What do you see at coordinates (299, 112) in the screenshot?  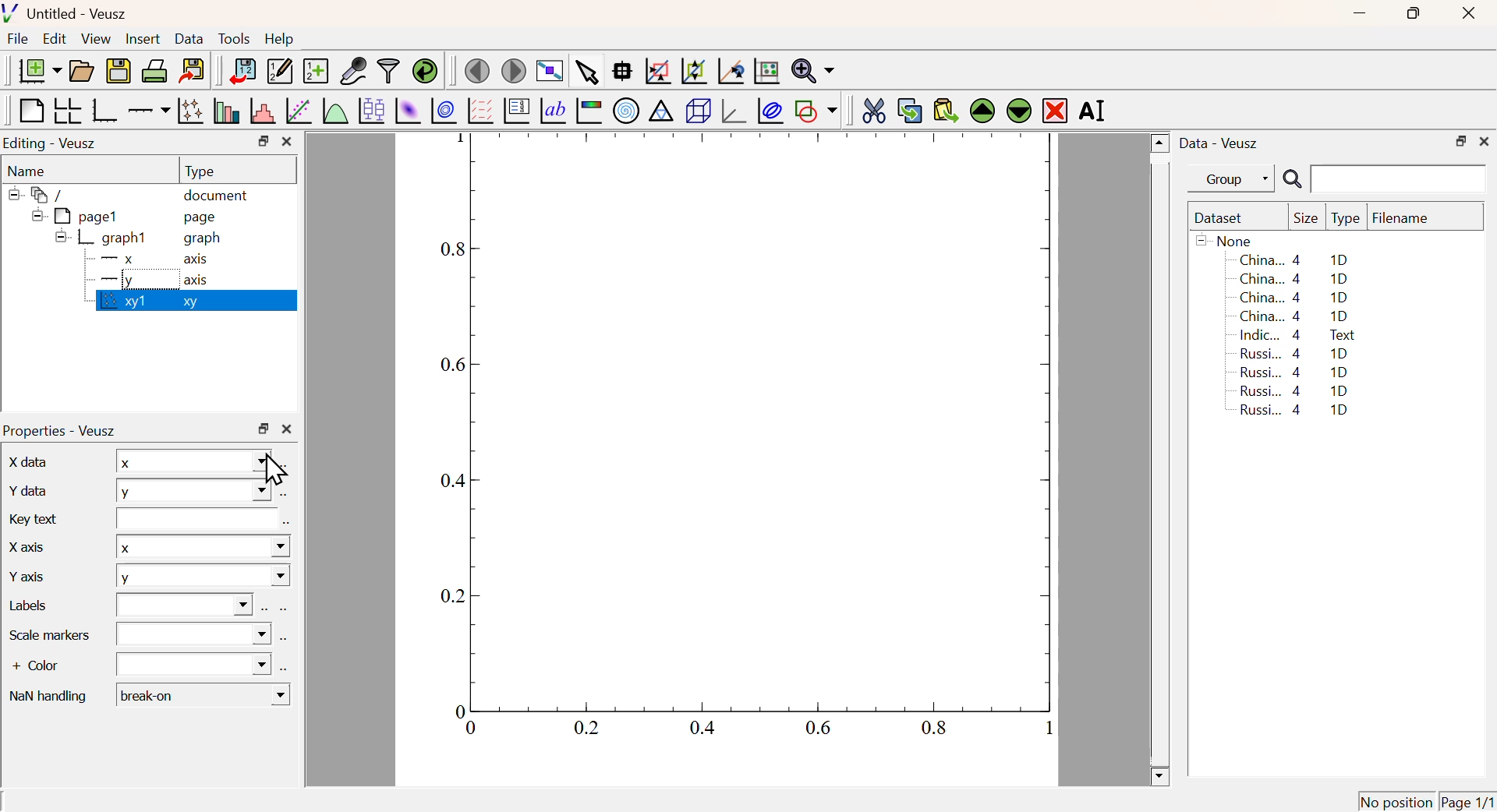 I see `Fit a function to data` at bounding box center [299, 112].